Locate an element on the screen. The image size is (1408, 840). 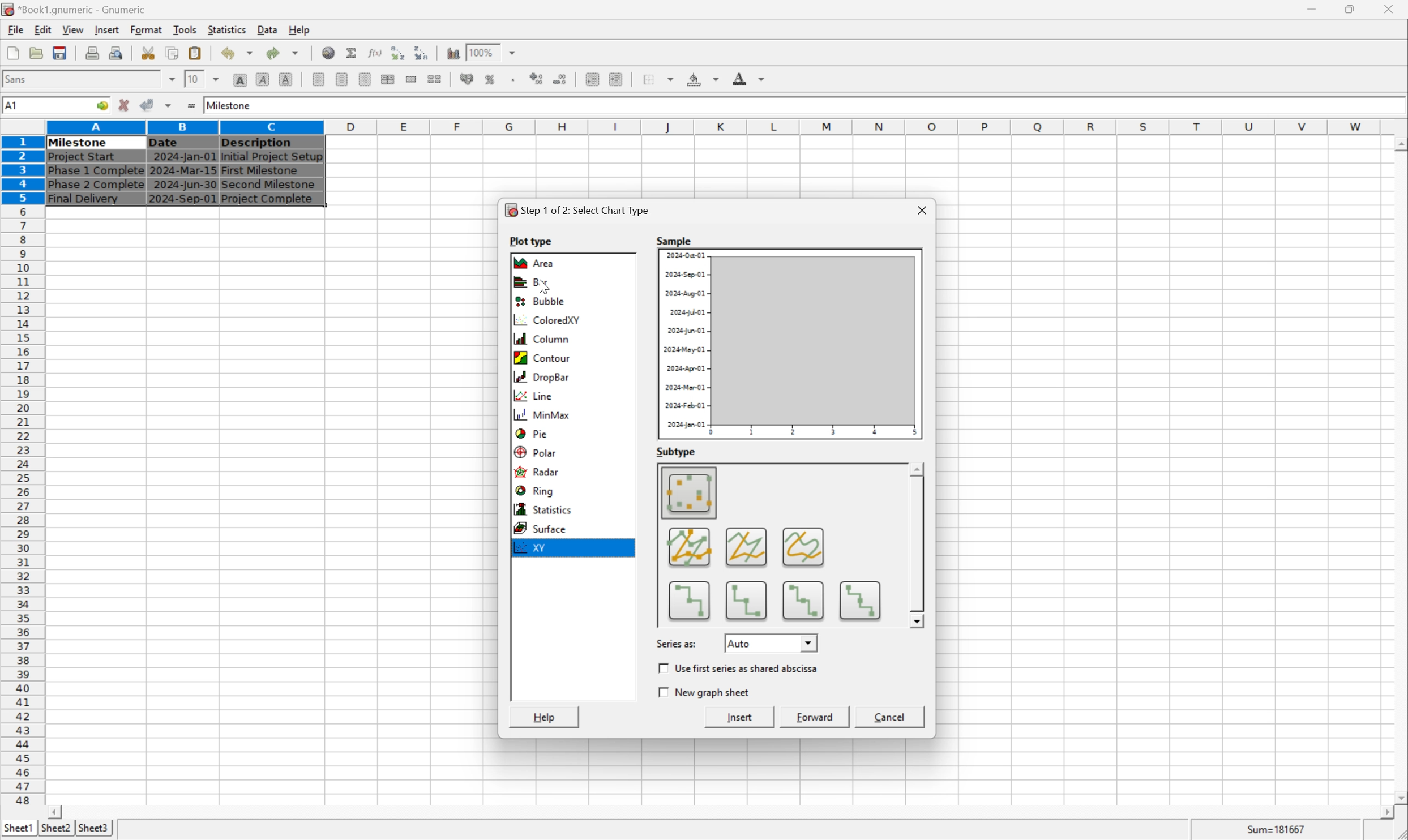
open a file is located at coordinates (38, 53).